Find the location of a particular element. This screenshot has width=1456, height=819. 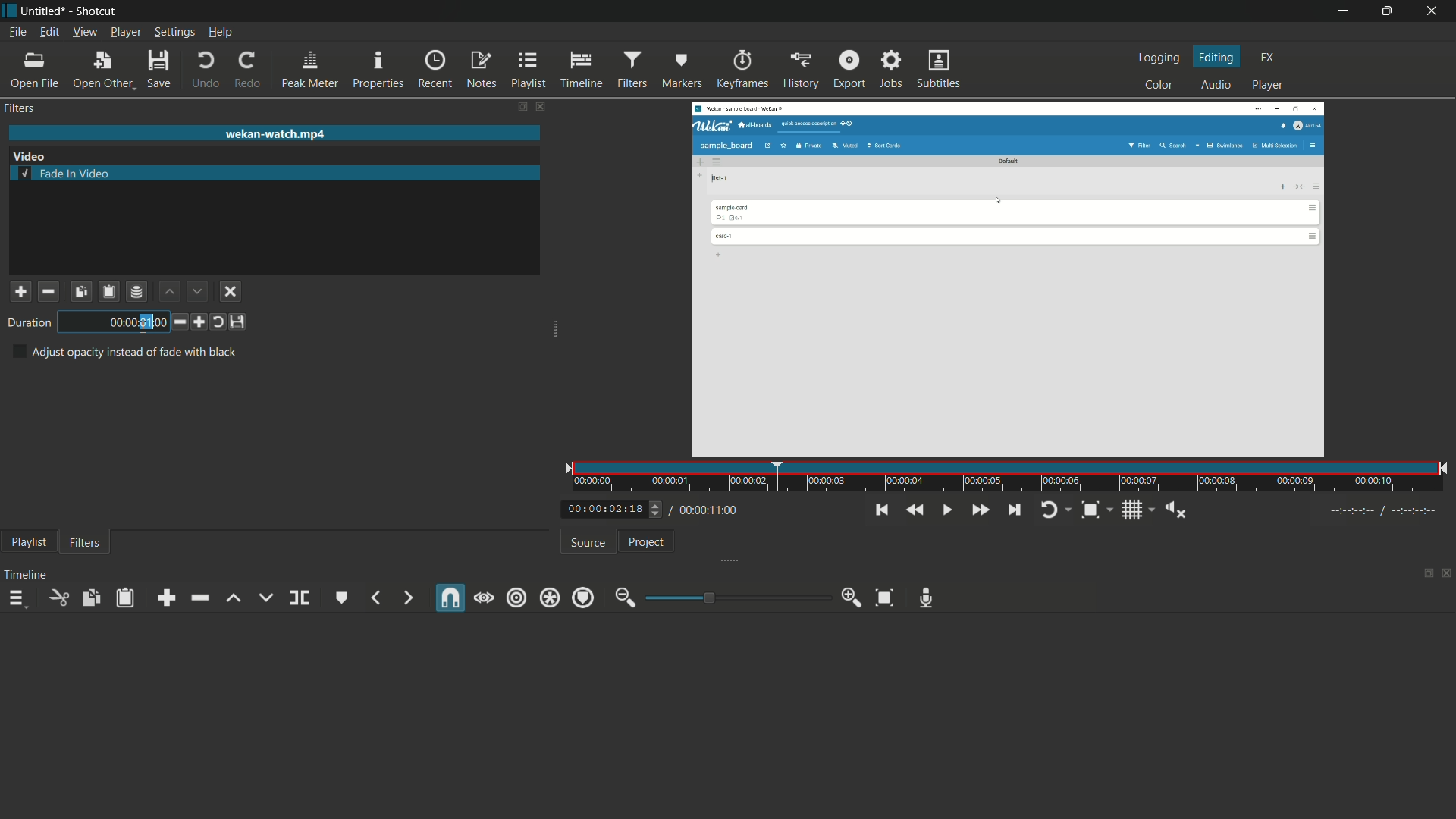

copy checked filter is located at coordinates (80, 290).